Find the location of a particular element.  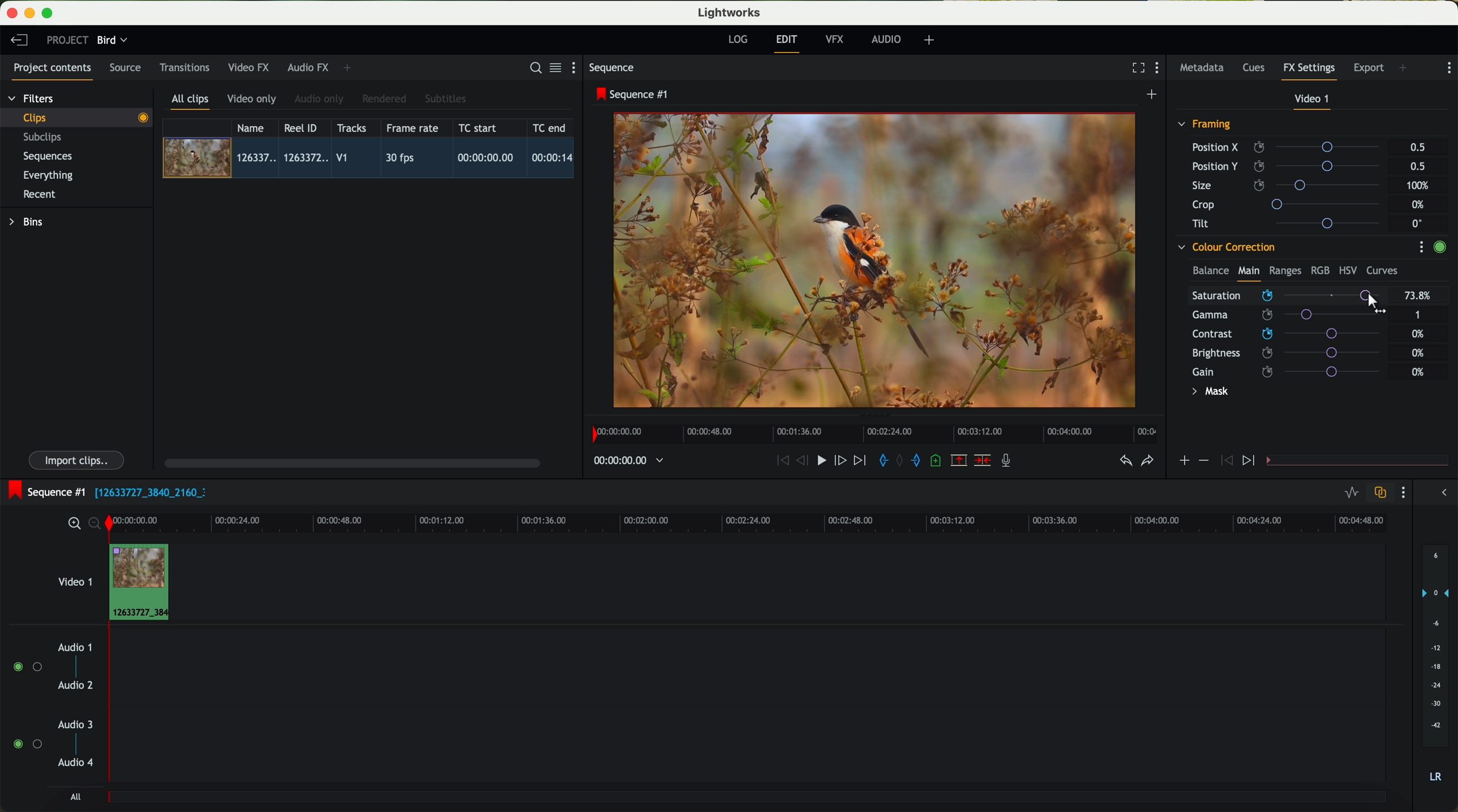

log is located at coordinates (737, 40).